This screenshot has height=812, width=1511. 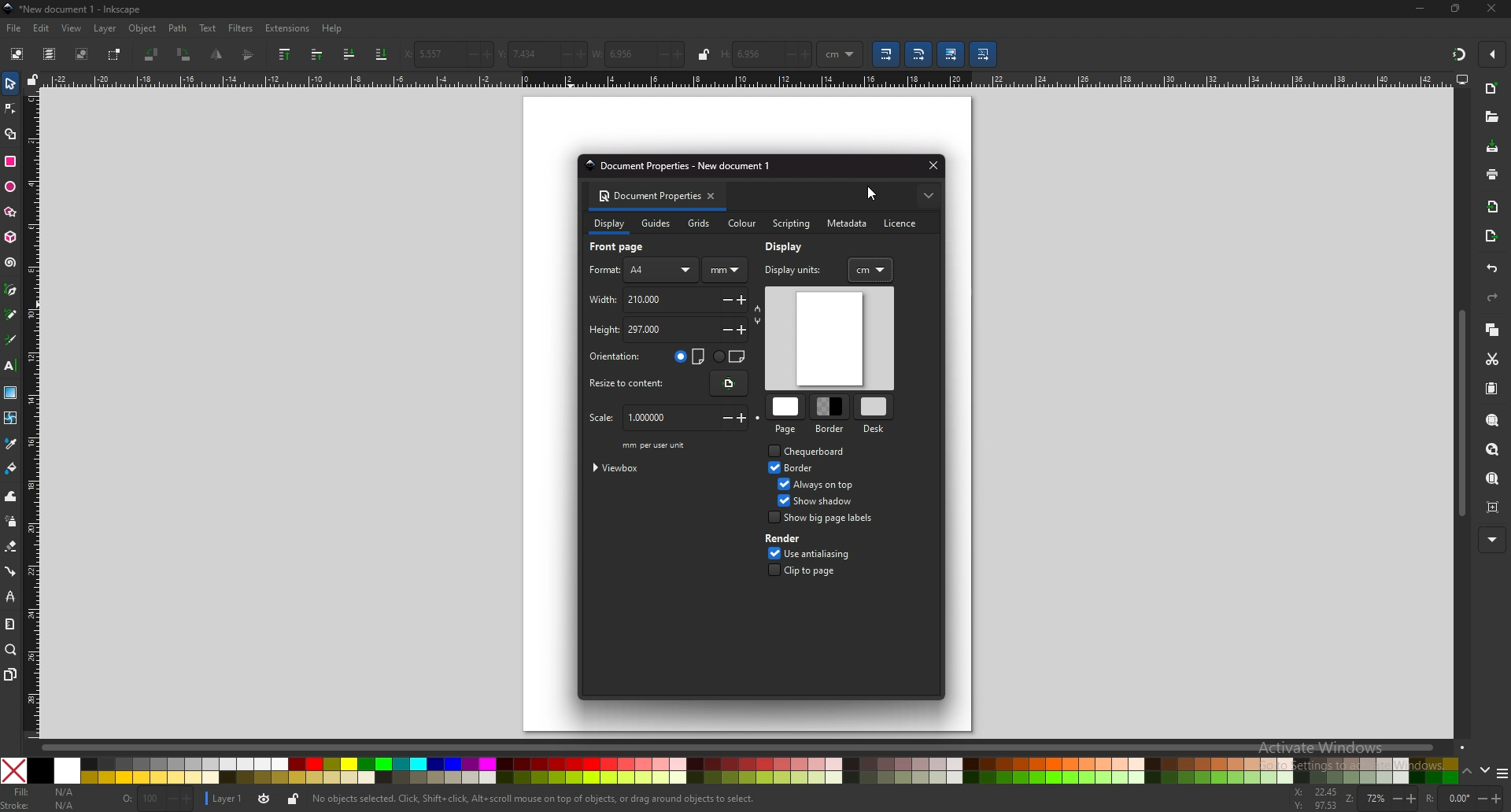 I want to click on Checkbox, so click(x=770, y=570).